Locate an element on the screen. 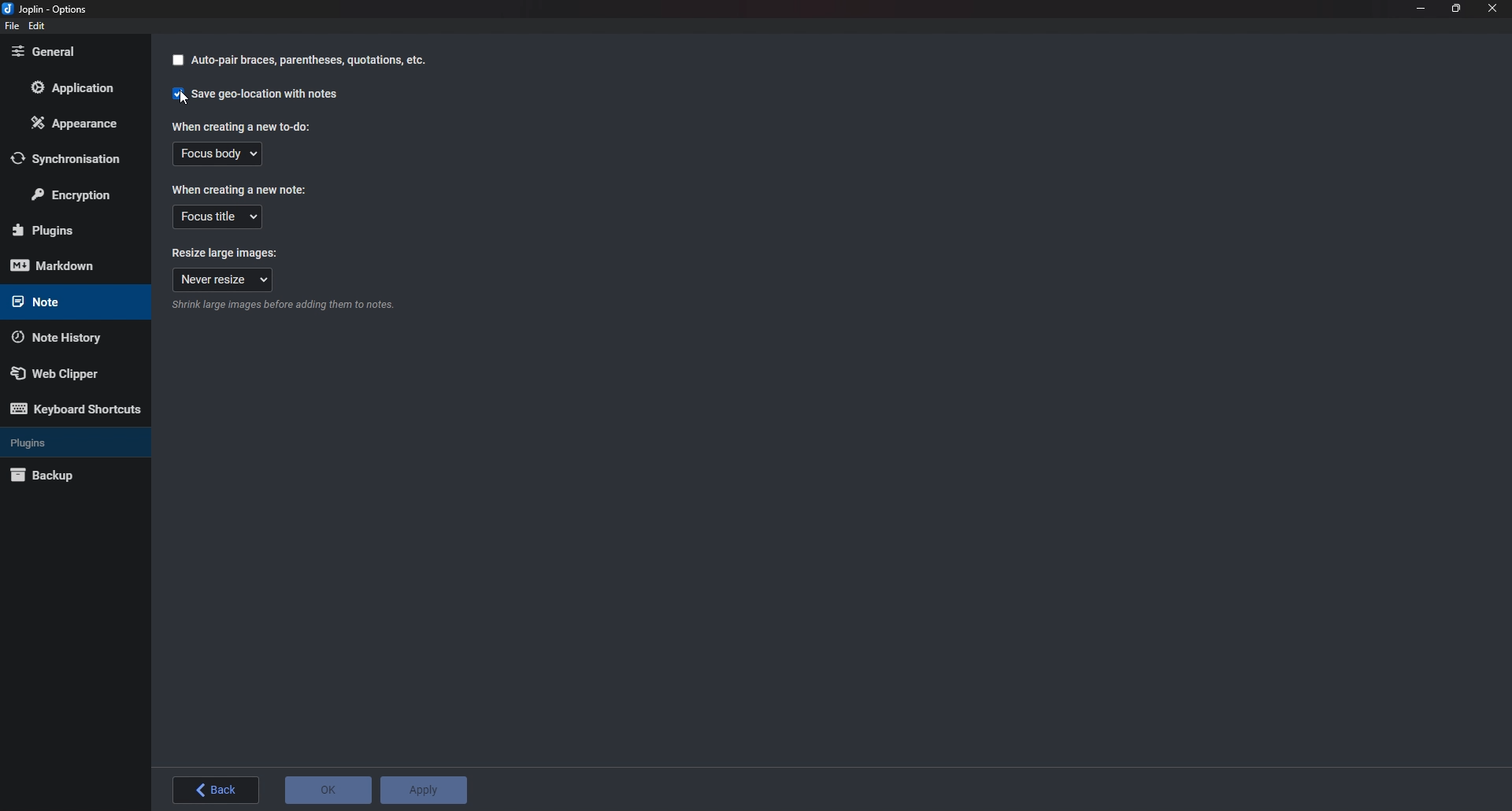  General is located at coordinates (67, 52).